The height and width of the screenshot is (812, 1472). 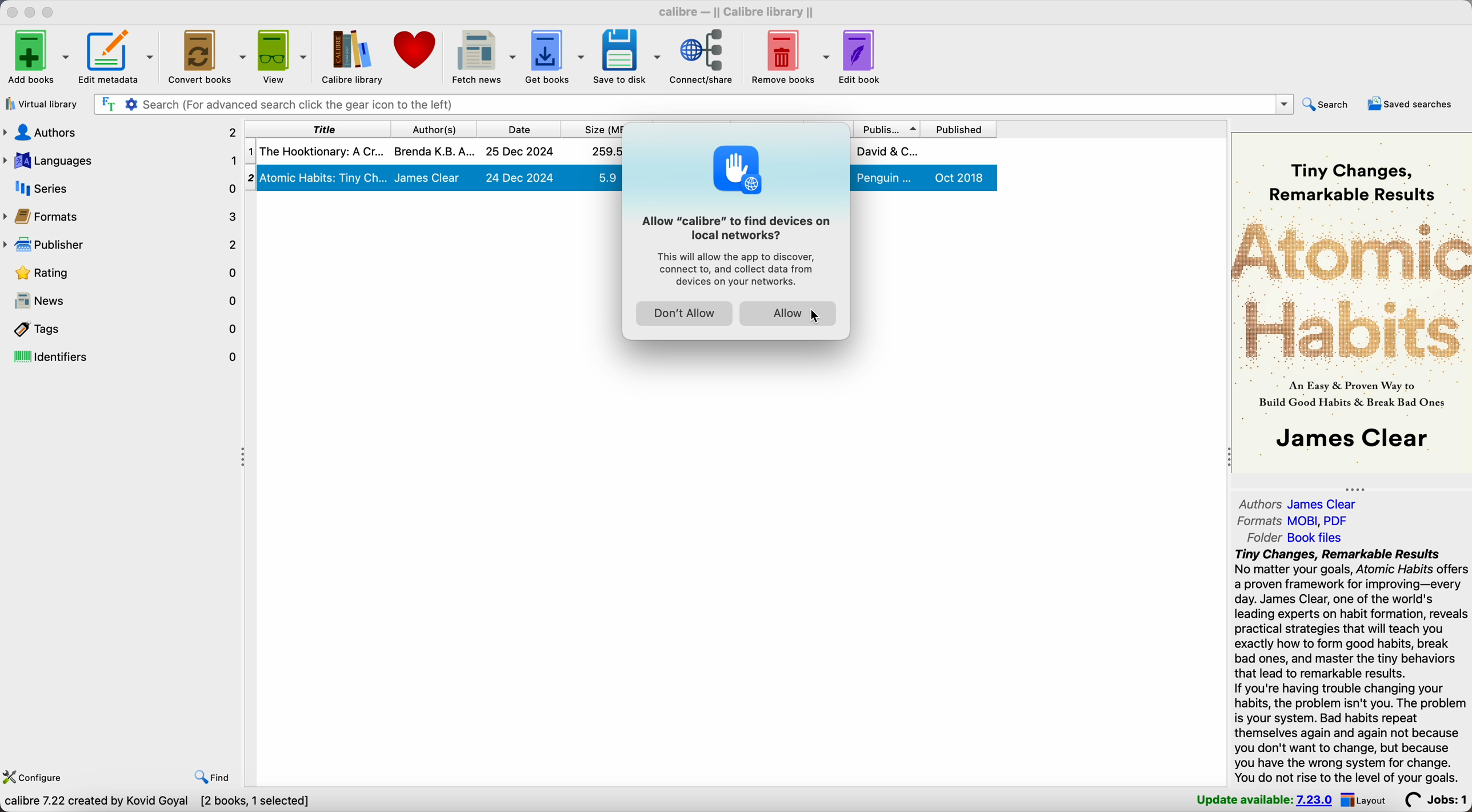 I want to click on Tiny Changes, Remarkable ResultsNo matter your goals, Atomic Habits offersa proven framework for improving—everyday. James Clear, one of the world'sleading experts on habit formation, revealspractical strategies that will teach youexactly how to form good habits, breakbad ones, and master the tiny behaviorsthat lead to remarkable results.If you're having trouble changing yourhabits, the problem isn't you. The problemis your system. Bad habits repeatthemselves again and again not becauseyou don't want to change, but becauseyou have the wrong system for change.You do not rise to the level of your goals., so click(x=1351, y=666).